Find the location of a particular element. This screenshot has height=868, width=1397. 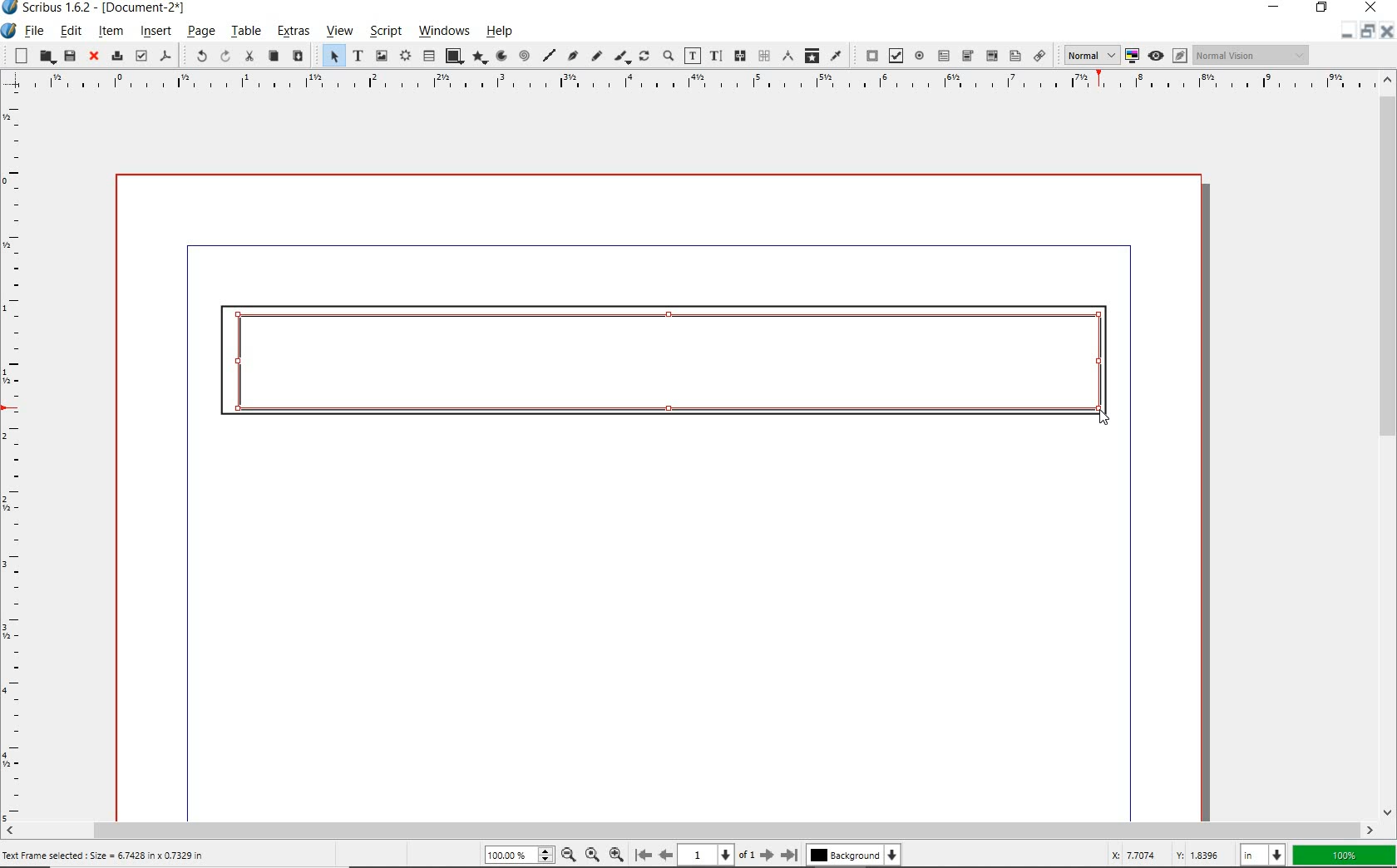

Polygon selected : Size = 6.9239 in x 0.8416 in is located at coordinates (101, 854).